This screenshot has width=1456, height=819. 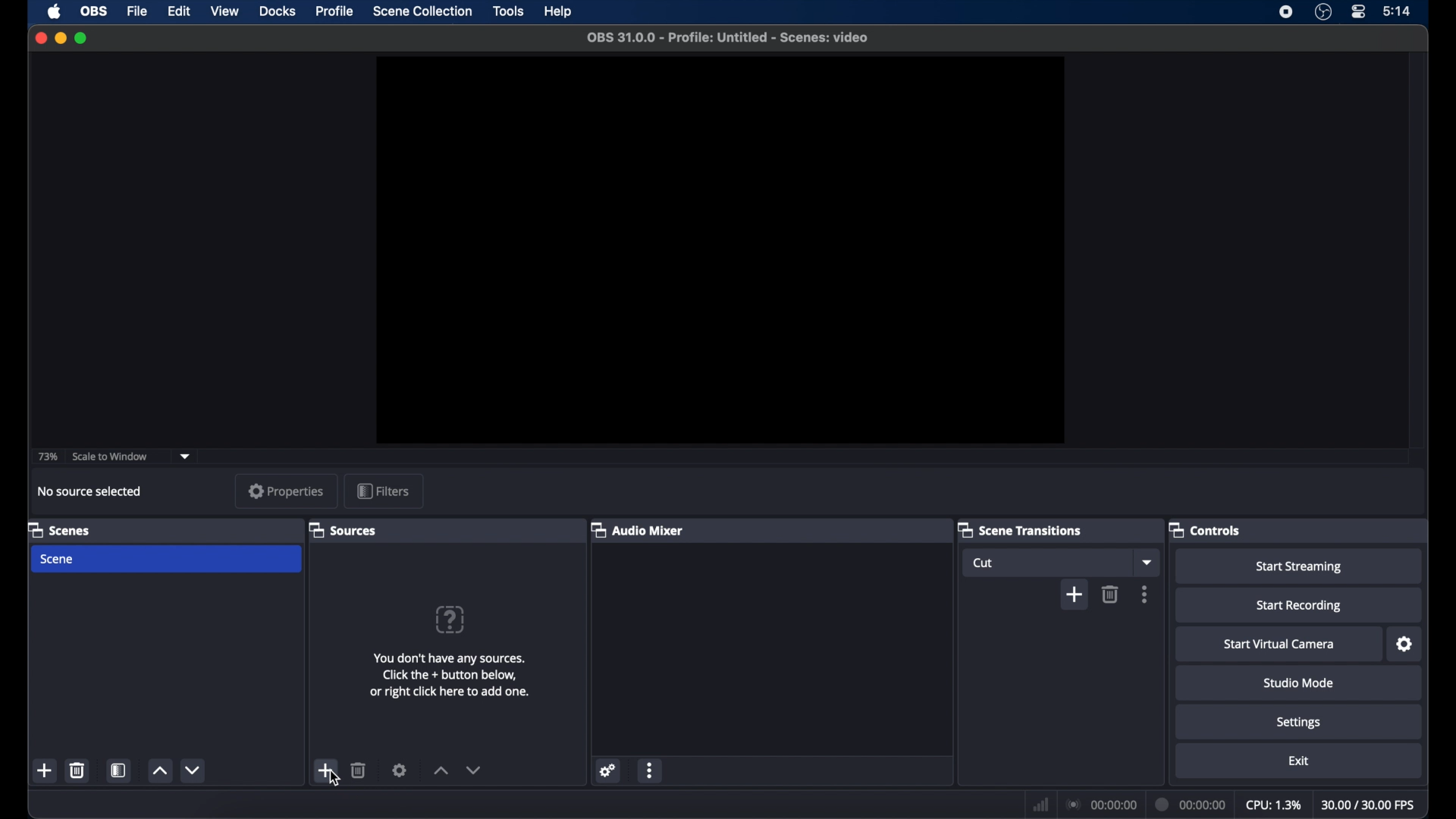 What do you see at coordinates (1286, 12) in the screenshot?
I see `screen recording icon` at bounding box center [1286, 12].